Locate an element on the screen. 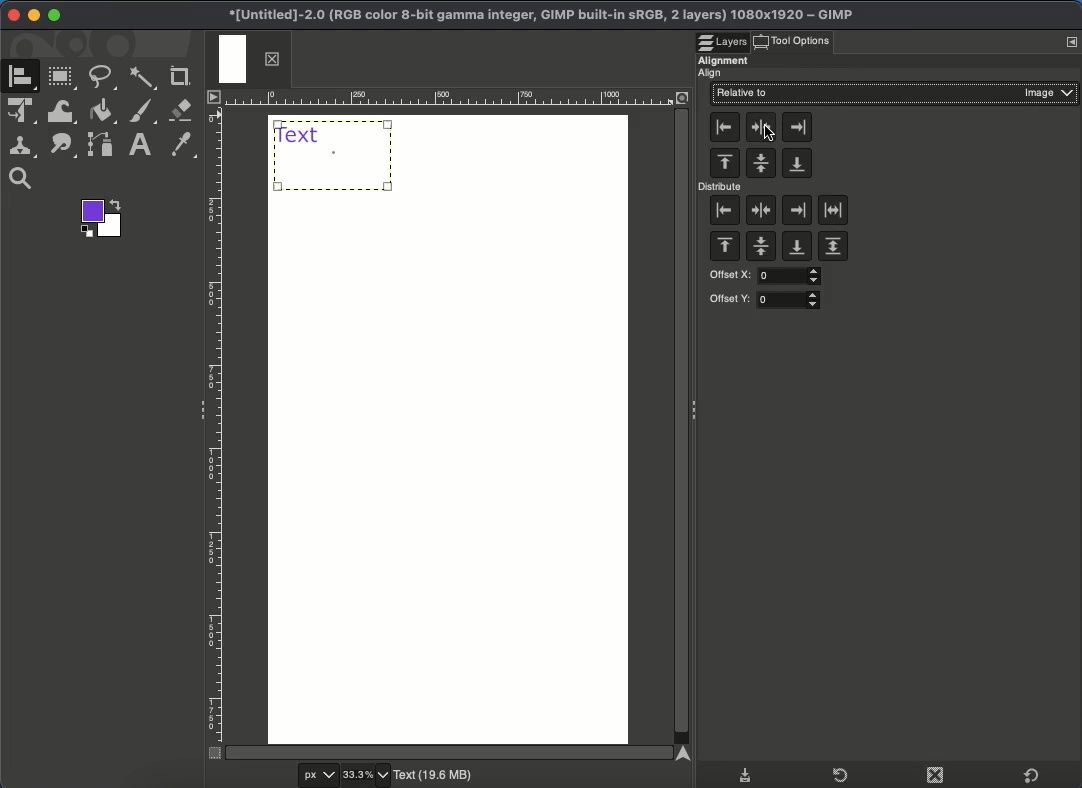 The image size is (1082, 788). Unified transformation is located at coordinates (24, 113).